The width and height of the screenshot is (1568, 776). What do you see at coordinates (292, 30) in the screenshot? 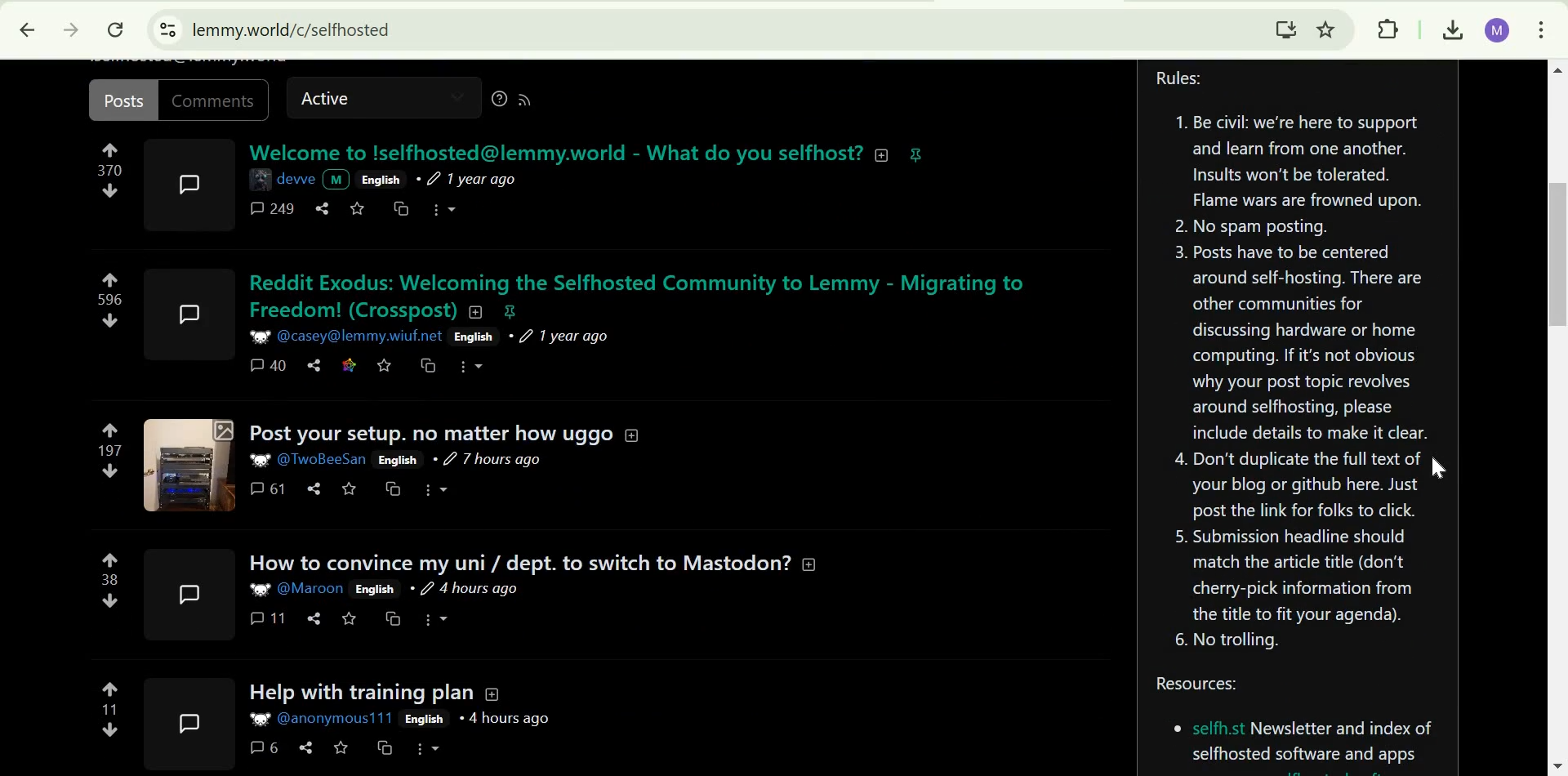
I see `lemmy.world/c/selfhosted` at bounding box center [292, 30].